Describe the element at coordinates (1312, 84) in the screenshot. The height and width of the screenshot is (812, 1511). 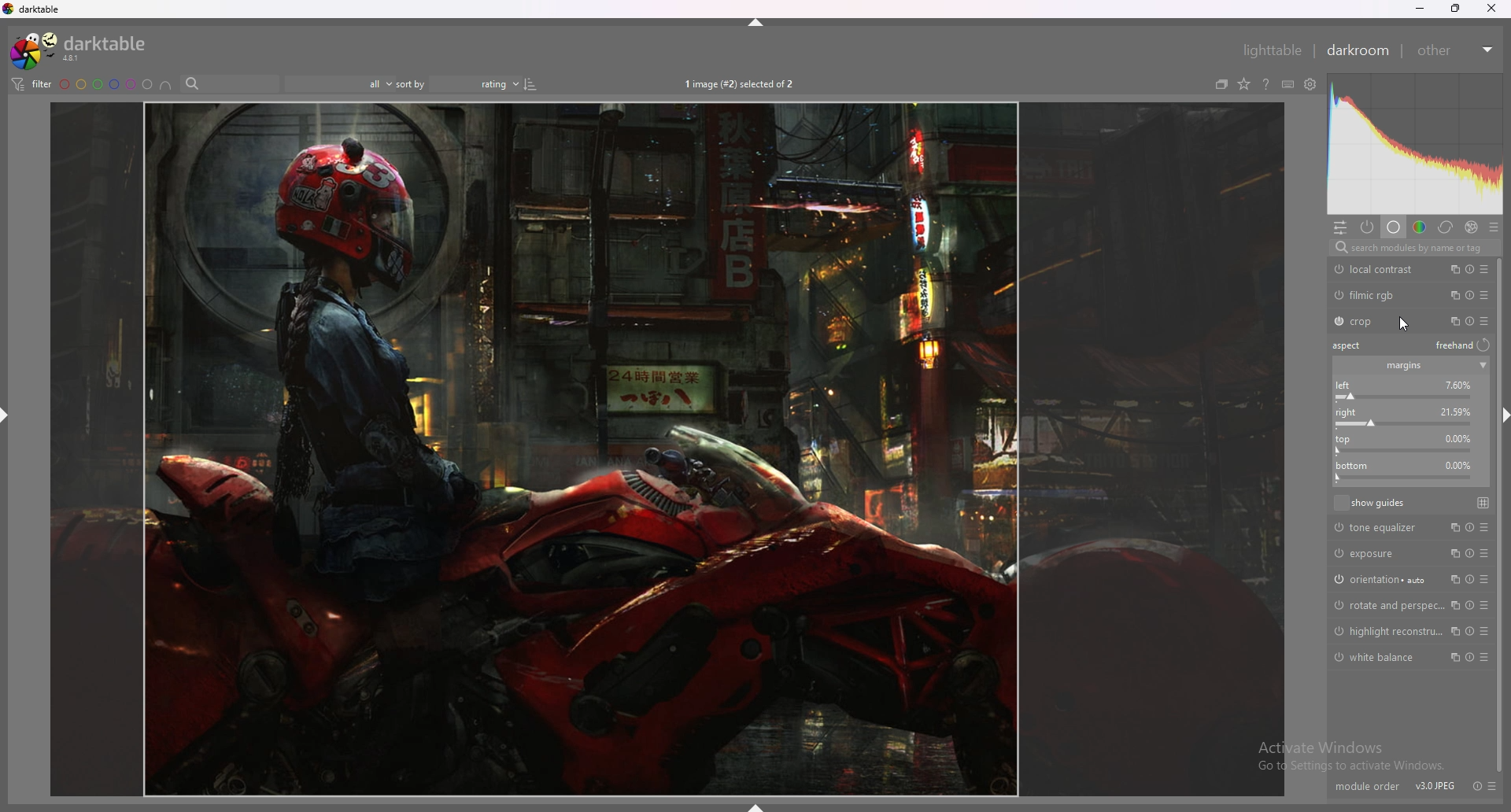
I see `see global preferences` at that location.